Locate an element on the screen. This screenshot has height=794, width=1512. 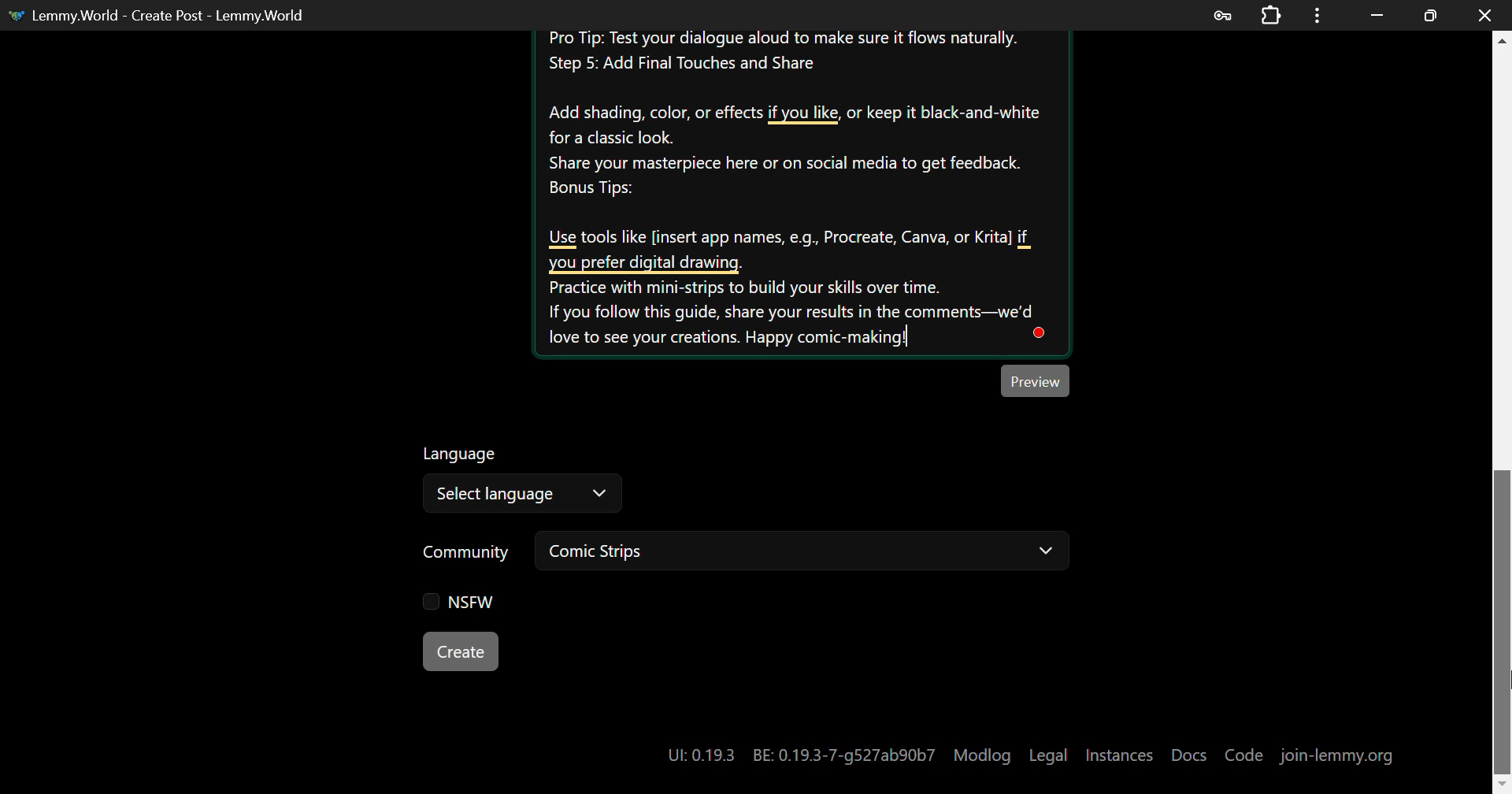
NSFW Checkbox is located at coordinates (462, 602).